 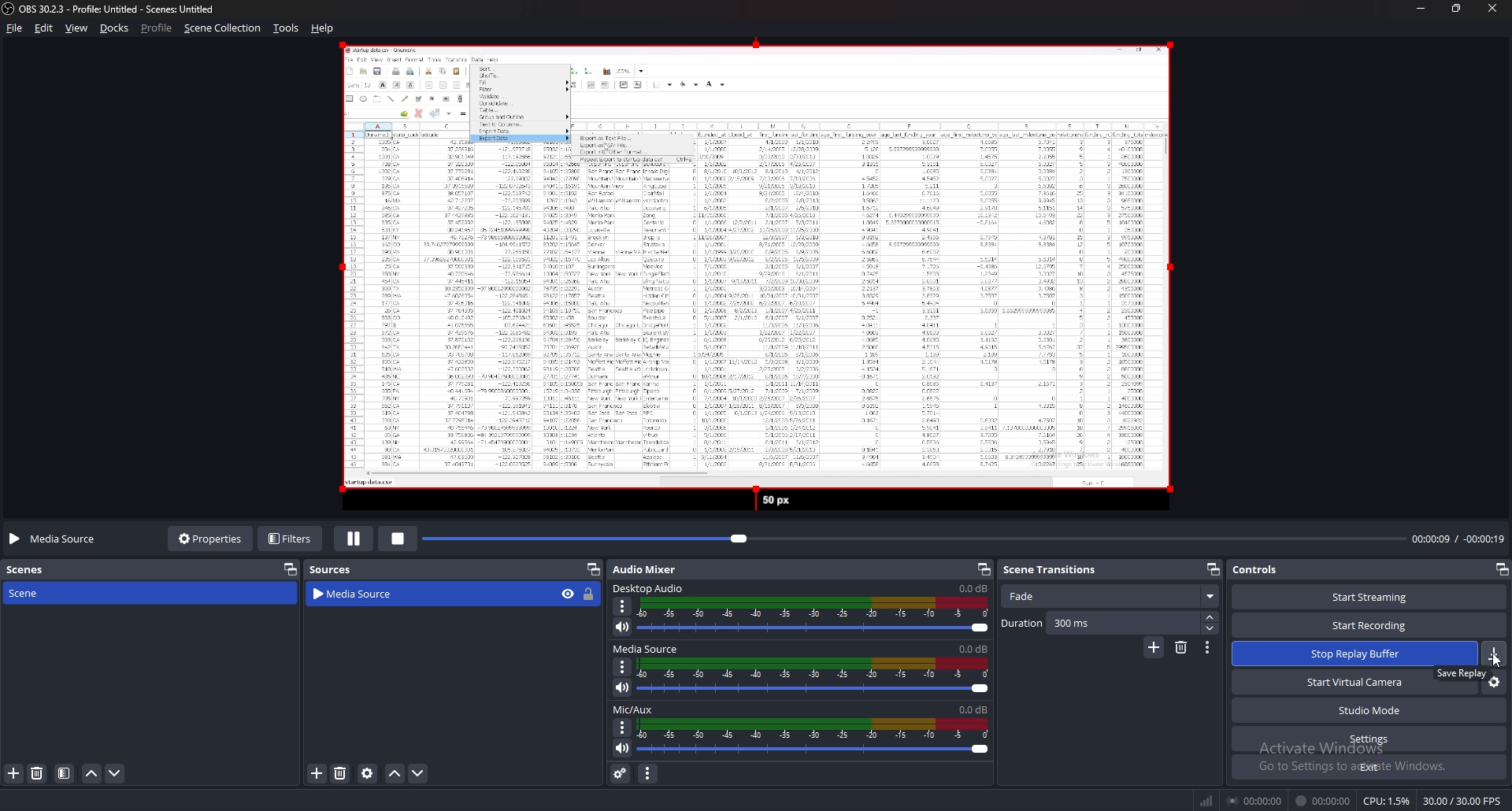 What do you see at coordinates (45, 28) in the screenshot?
I see `edit` at bounding box center [45, 28].